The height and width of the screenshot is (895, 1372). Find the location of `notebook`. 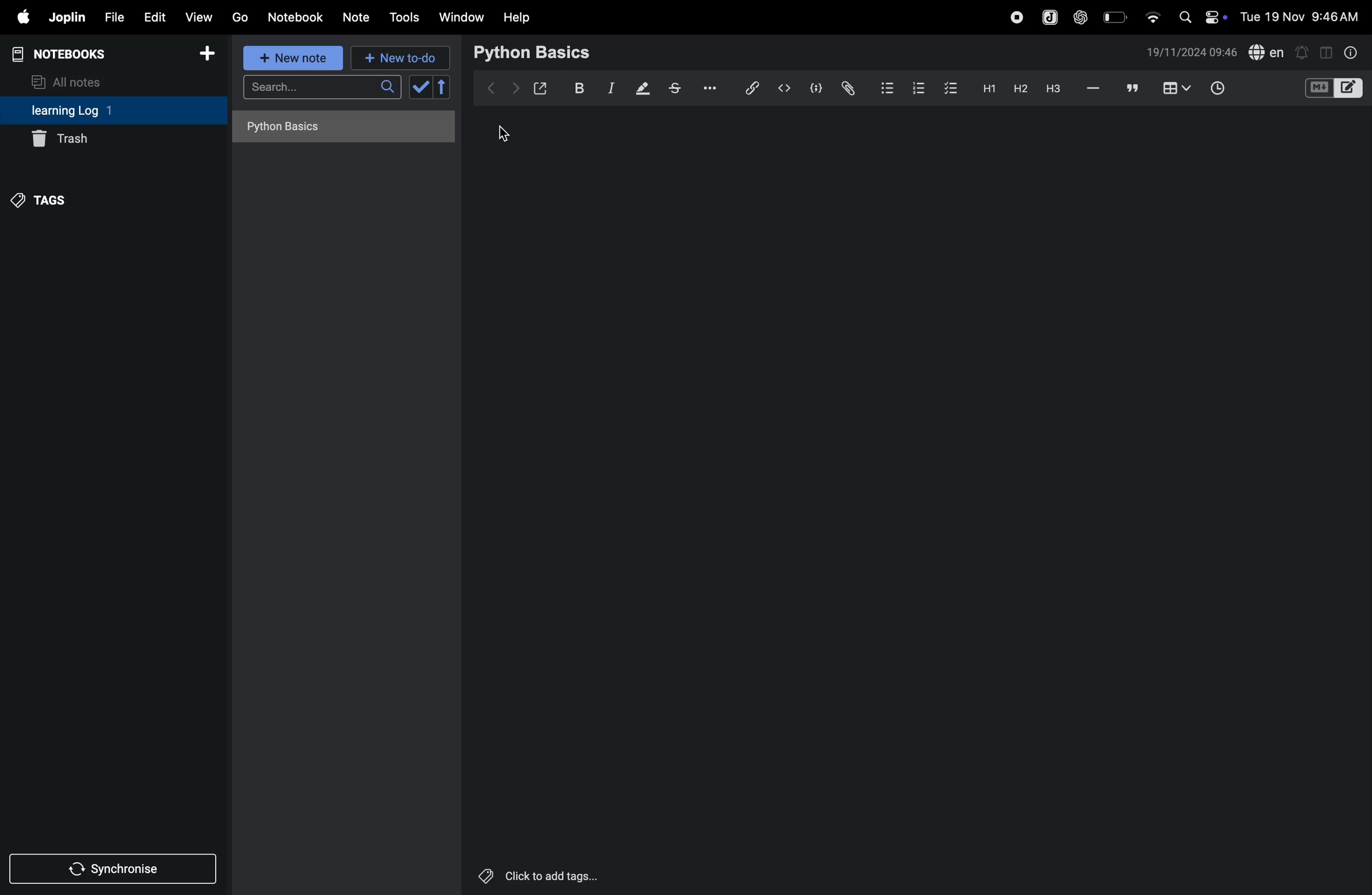

notebook is located at coordinates (297, 16).